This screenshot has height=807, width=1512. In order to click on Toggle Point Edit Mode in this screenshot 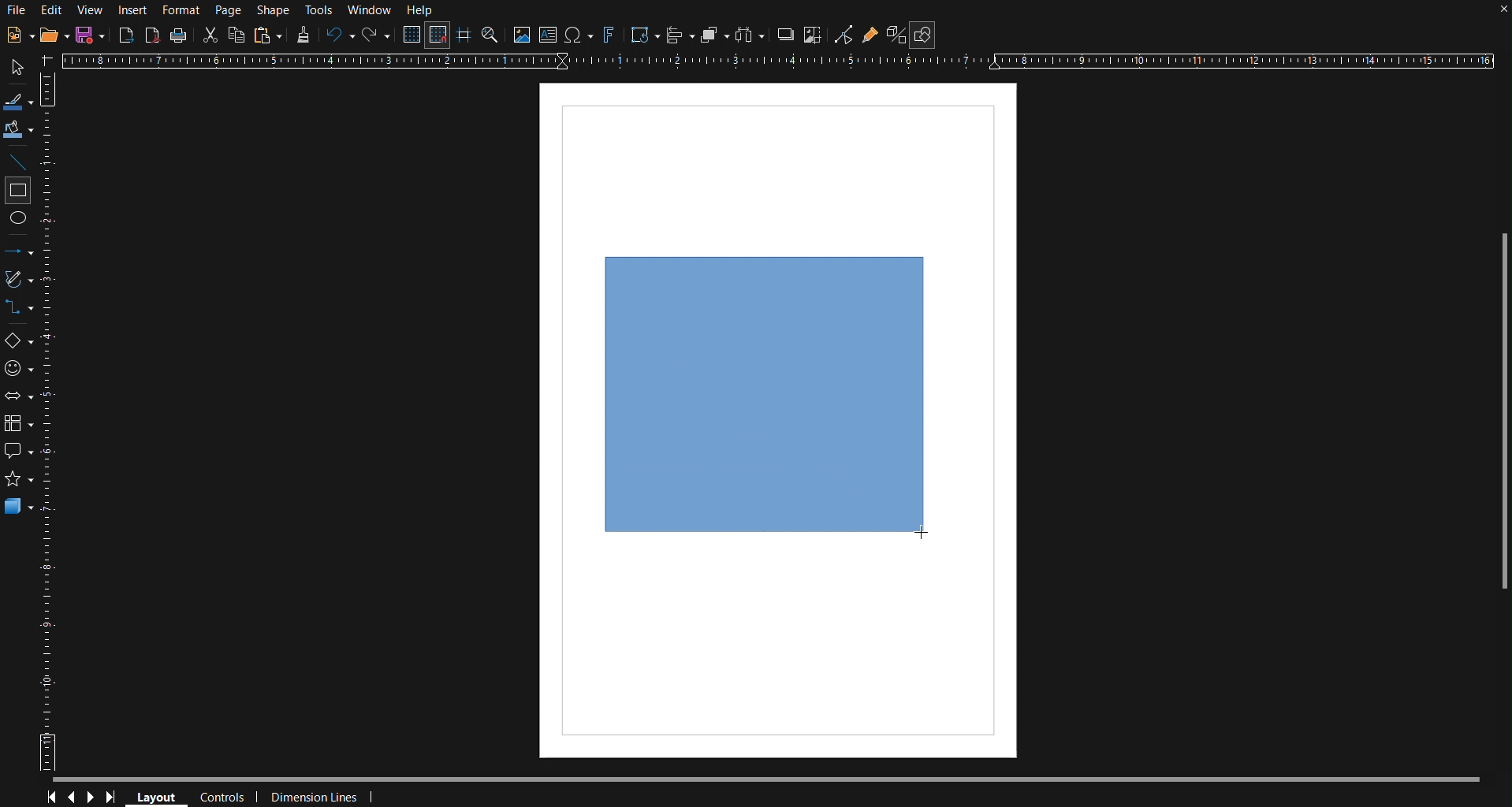, I will do `click(844, 35)`.